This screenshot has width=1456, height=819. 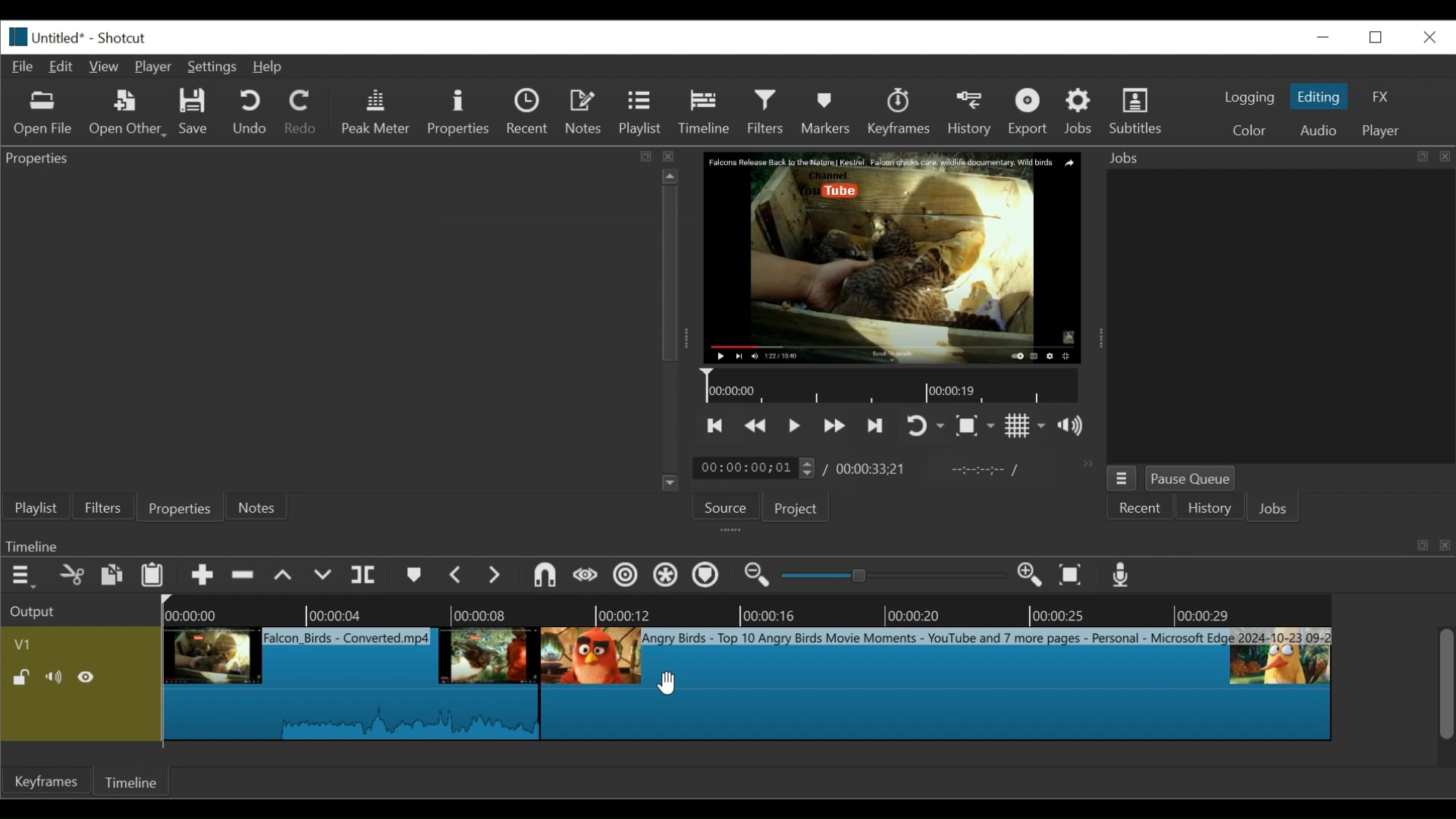 What do you see at coordinates (1427, 36) in the screenshot?
I see `Close` at bounding box center [1427, 36].